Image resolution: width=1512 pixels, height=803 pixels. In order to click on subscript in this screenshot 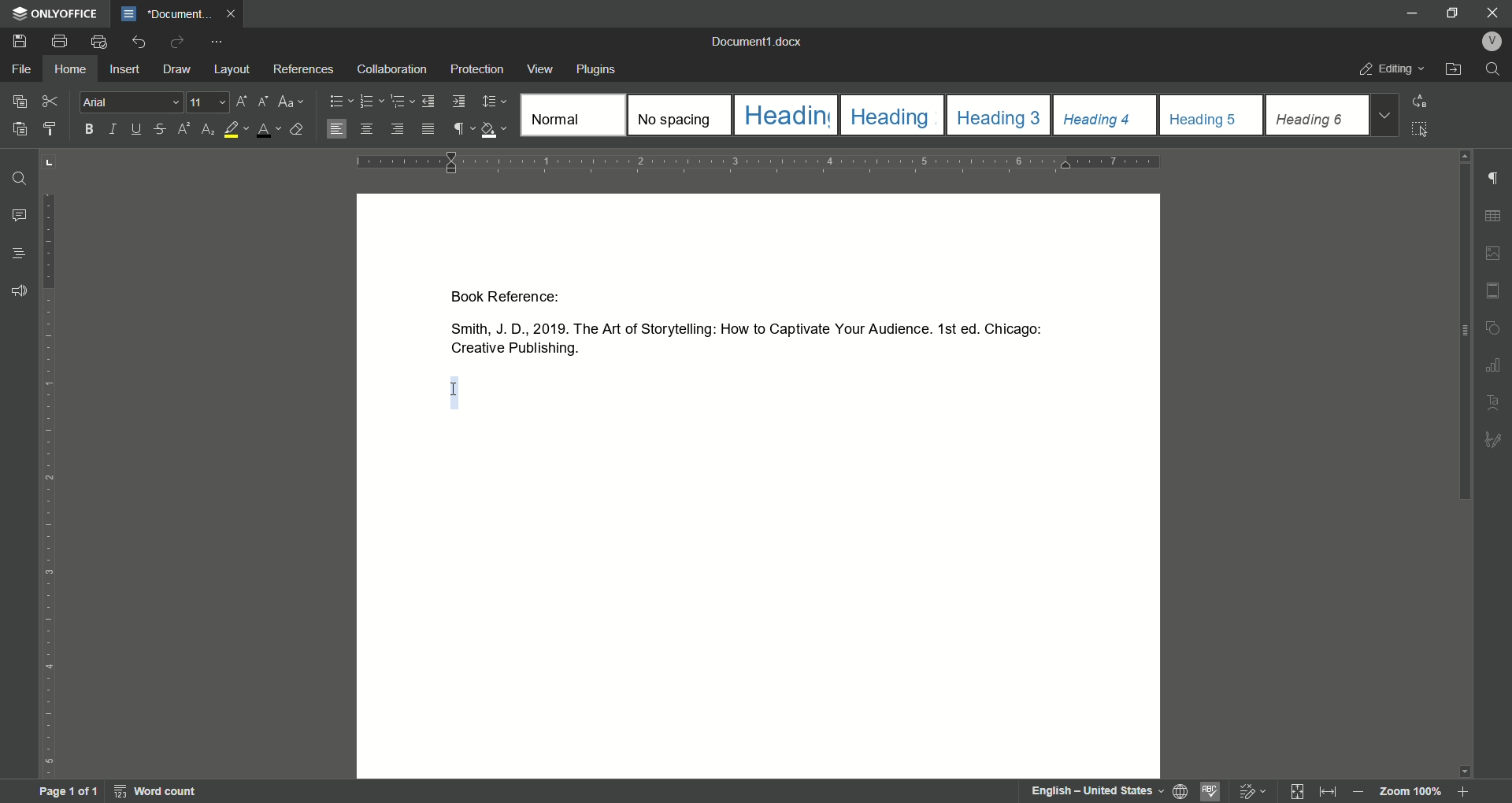, I will do `click(207, 130)`.